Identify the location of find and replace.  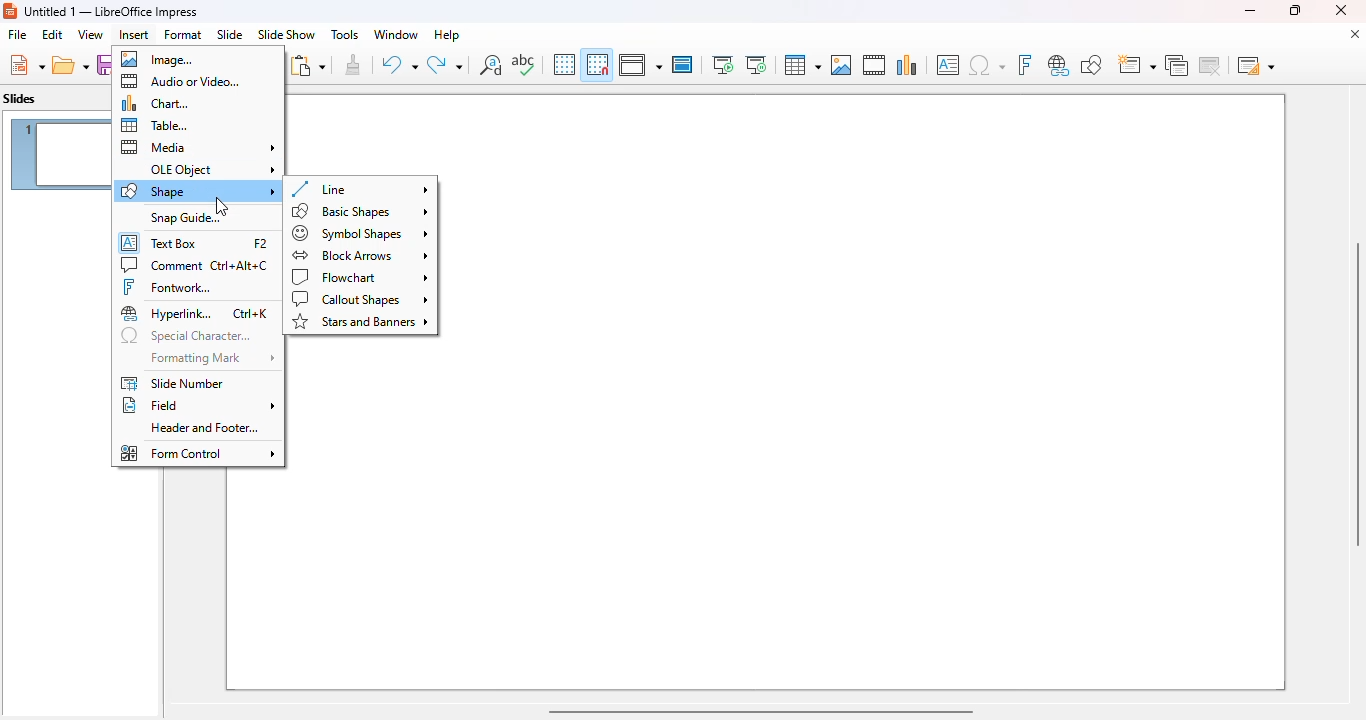
(491, 64).